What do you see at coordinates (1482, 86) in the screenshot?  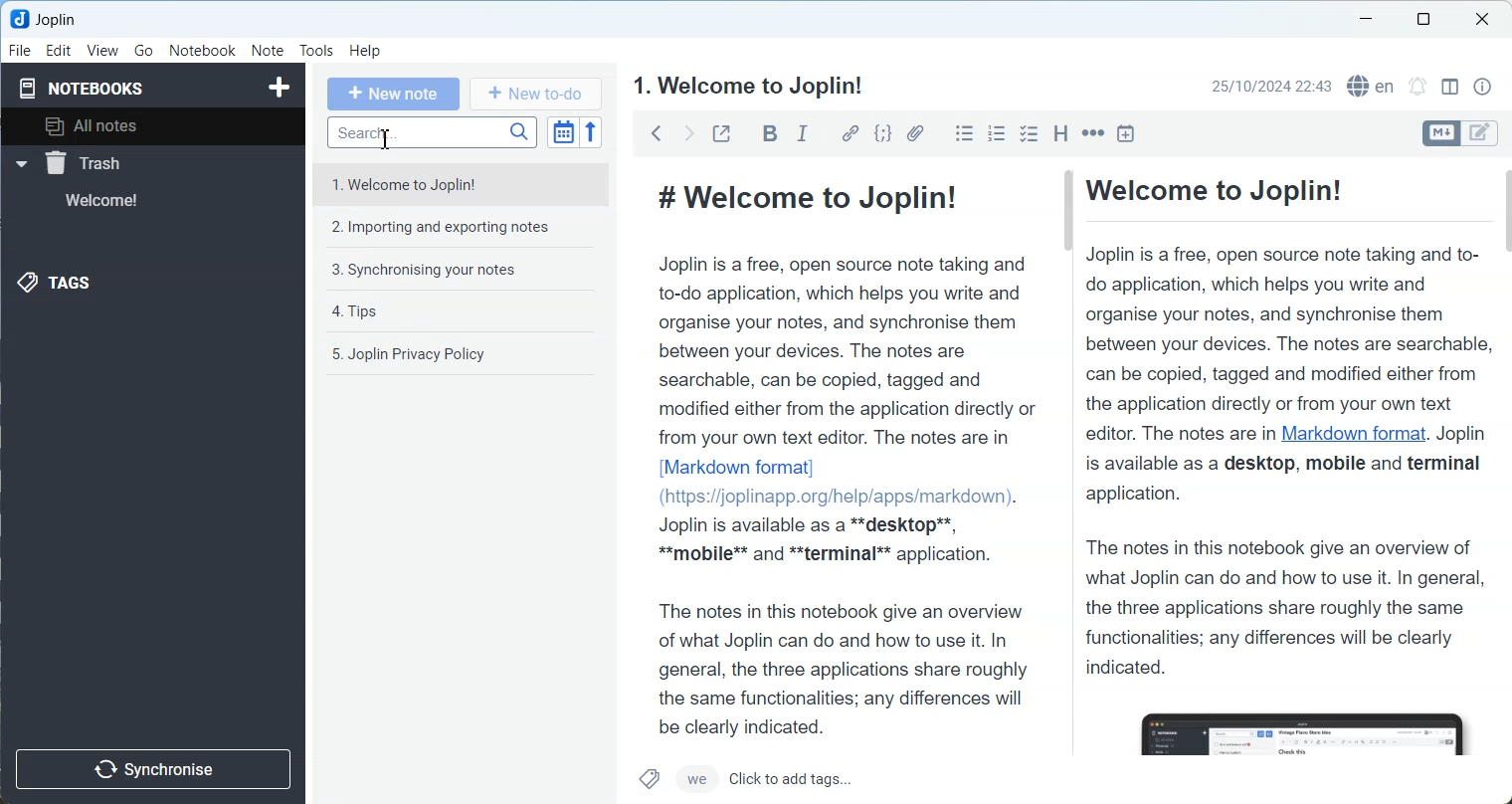 I see `Note Properties` at bounding box center [1482, 86].